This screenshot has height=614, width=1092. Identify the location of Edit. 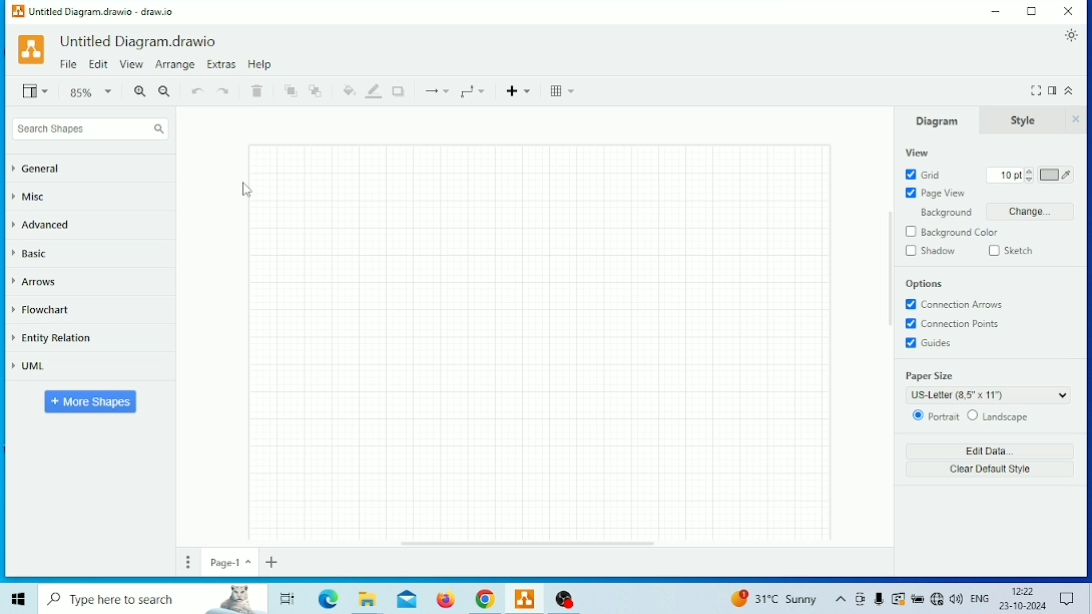
(99, 65).